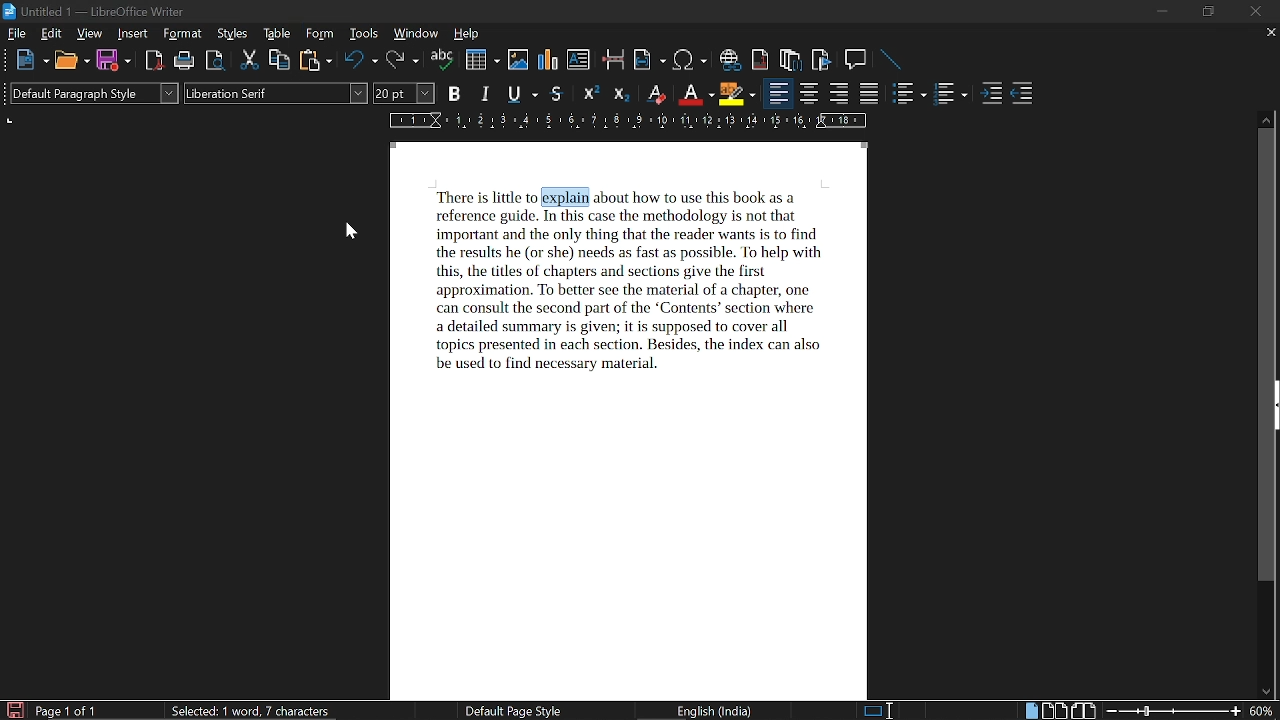 Image resolution: width=1280 pixels, height=720 pixels. What do you see at coordinates (1054, 711) in the screenshot?
I see `multiple page view` at bounding box center [1054, 711].